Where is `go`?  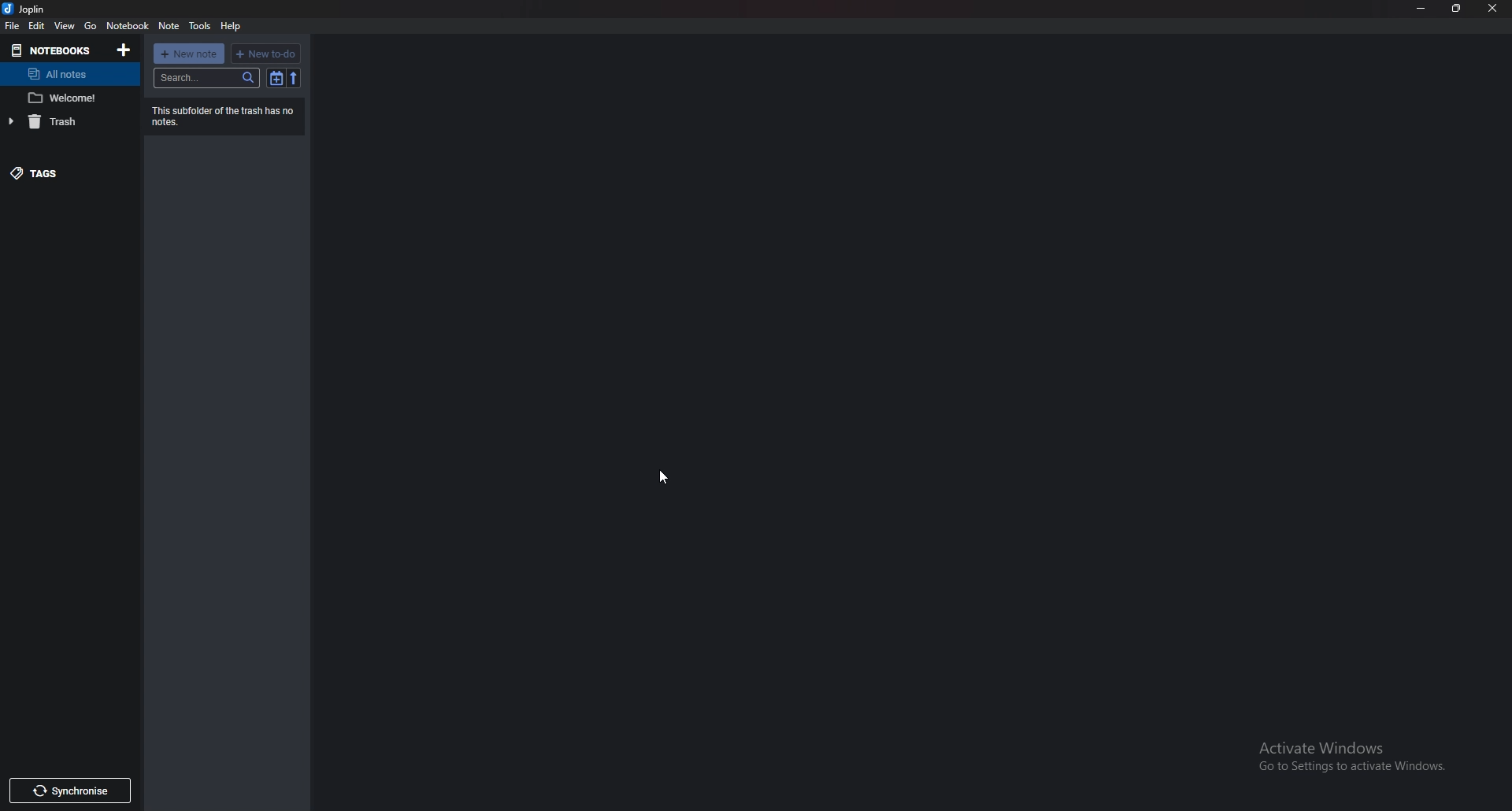
go is located at coordinates (92, 25).